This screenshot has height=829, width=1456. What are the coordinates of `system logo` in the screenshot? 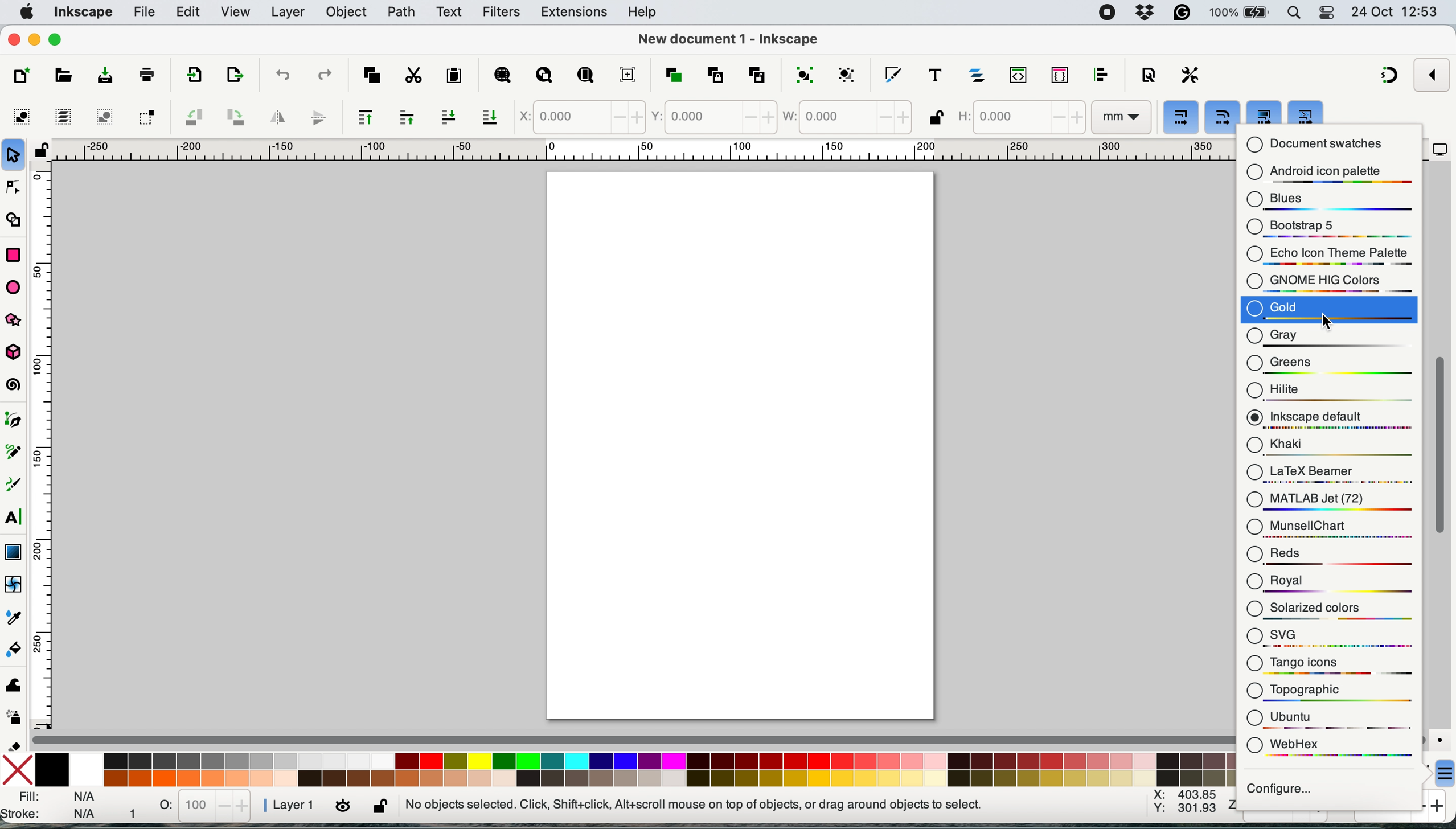 It's located at (27, 13).